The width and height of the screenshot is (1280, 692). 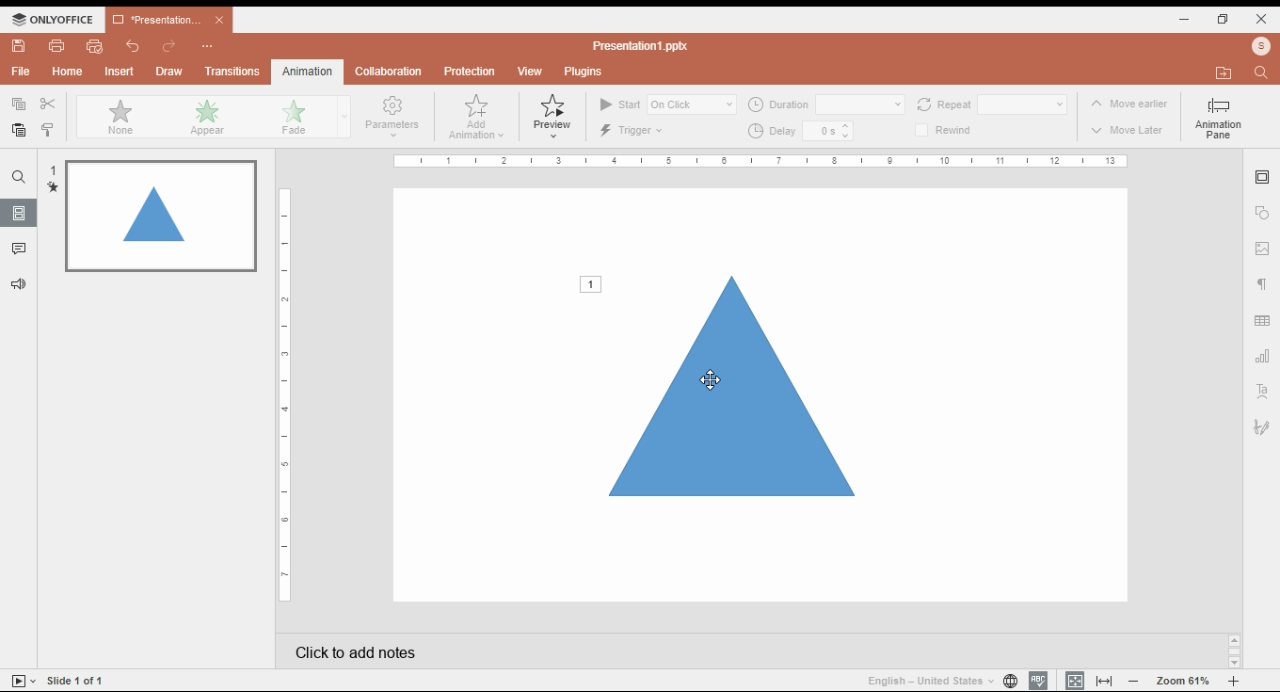 What do you see at coordinates (16, 177) in the screenshot?
I see `slide` at bounding box center [16, 177].